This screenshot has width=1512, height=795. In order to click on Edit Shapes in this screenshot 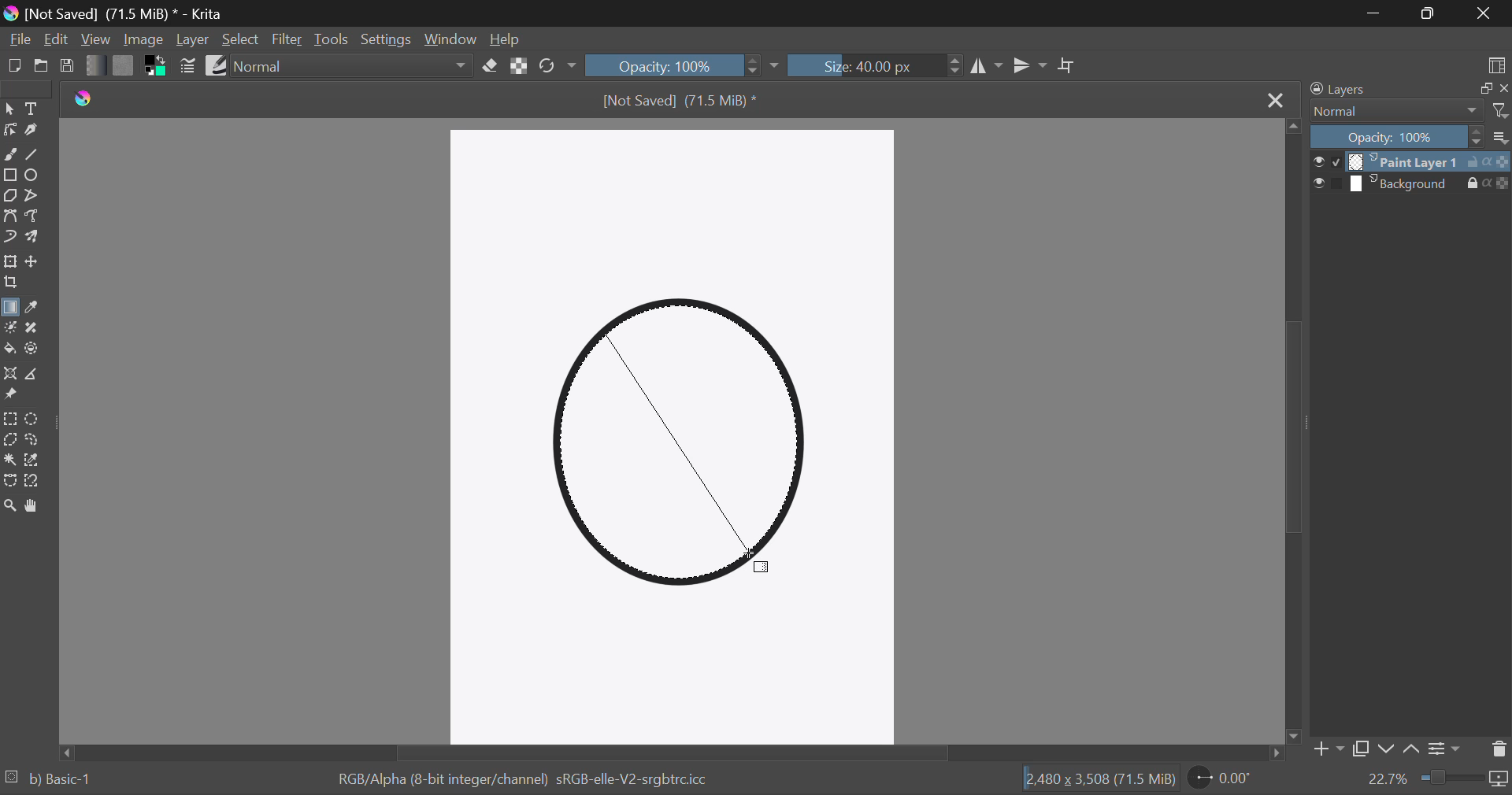, I will do `click(9, 131)`.